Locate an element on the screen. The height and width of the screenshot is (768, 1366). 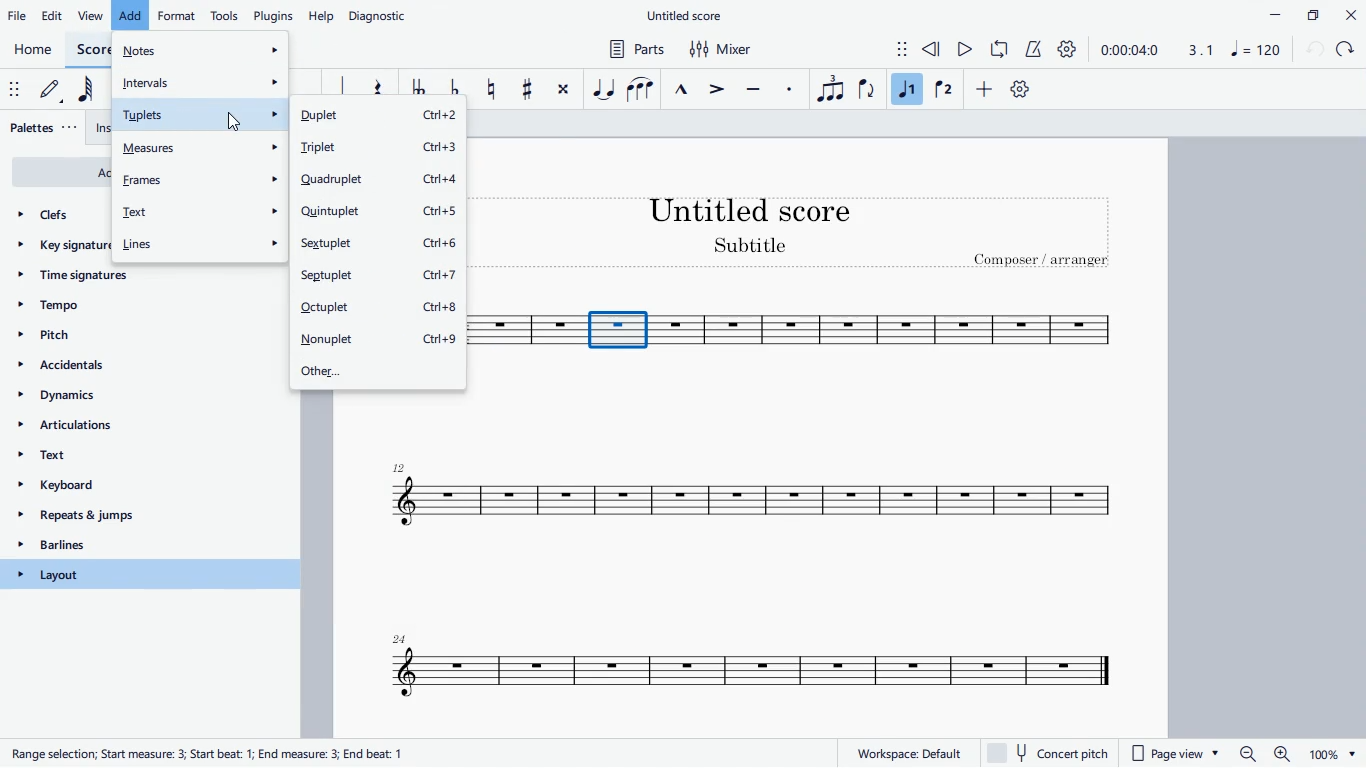
cursor is located at coordinates (235, 121).